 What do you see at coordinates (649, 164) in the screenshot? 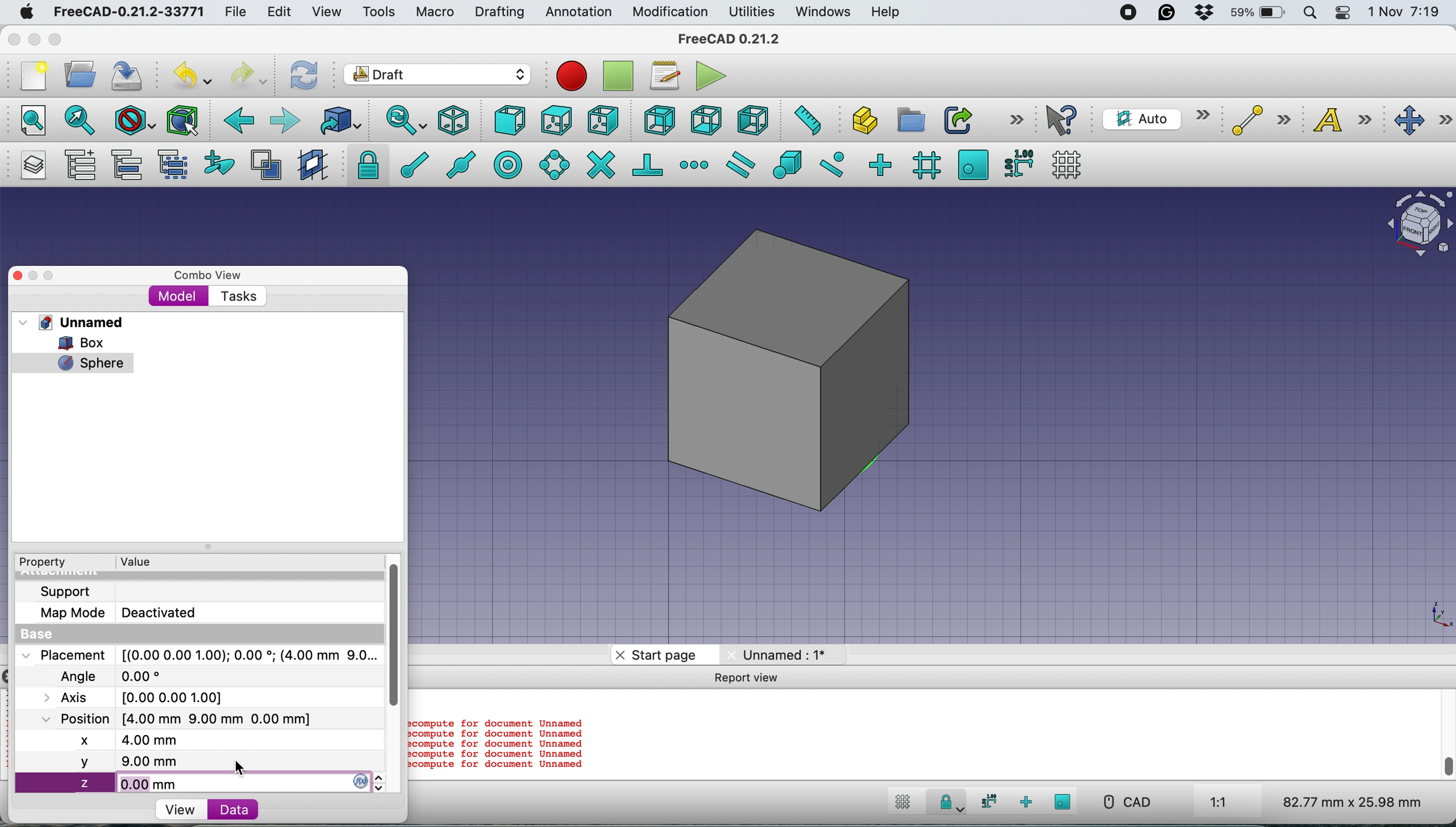
I see `snap perpendicular` at bounding box center [649, 164].